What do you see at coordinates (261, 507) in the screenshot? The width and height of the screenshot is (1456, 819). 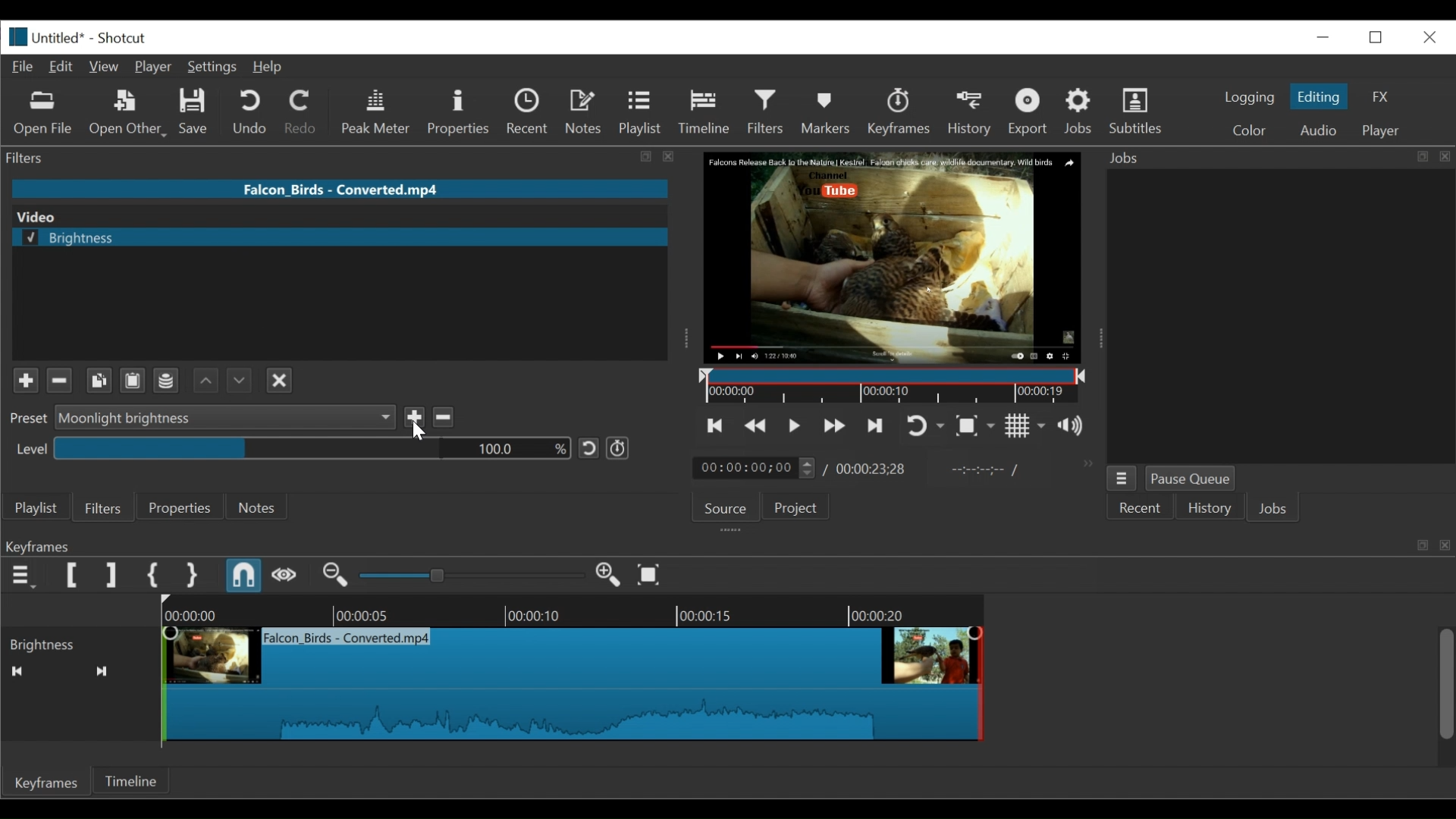 I see `Notes` at bounding box center [261, 507].